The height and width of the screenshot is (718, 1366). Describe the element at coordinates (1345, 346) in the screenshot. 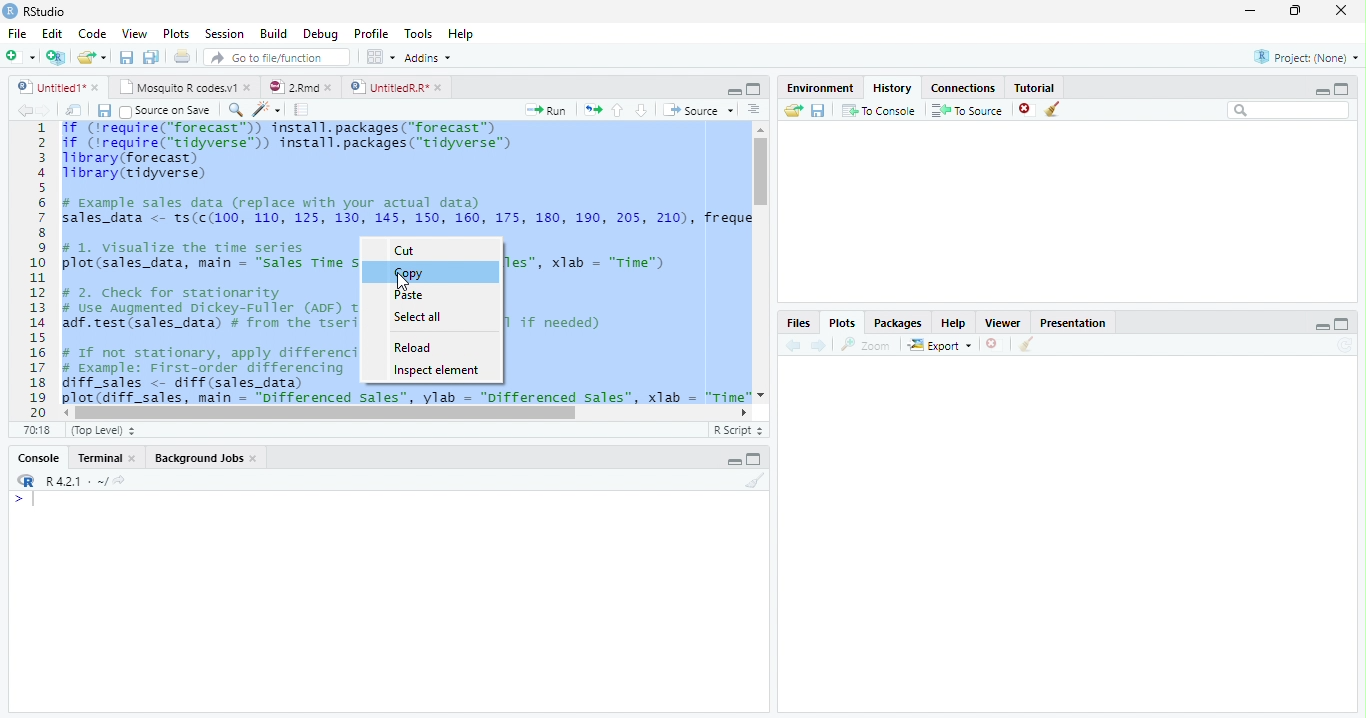

I see `Refresh` at that location.